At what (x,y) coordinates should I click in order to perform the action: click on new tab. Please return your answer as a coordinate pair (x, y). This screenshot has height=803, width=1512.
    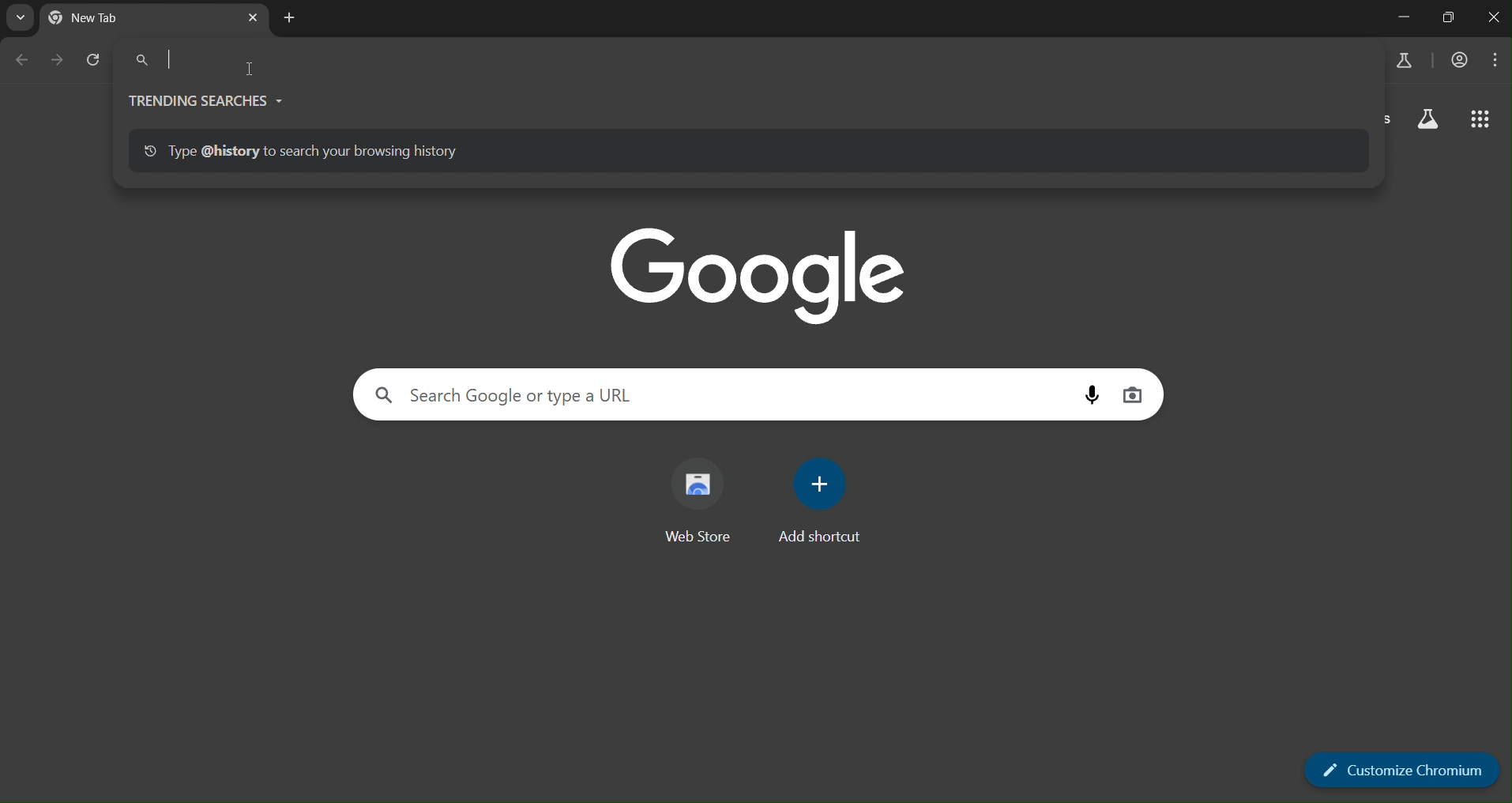
    Looking at the image, I should click on (292, 17).